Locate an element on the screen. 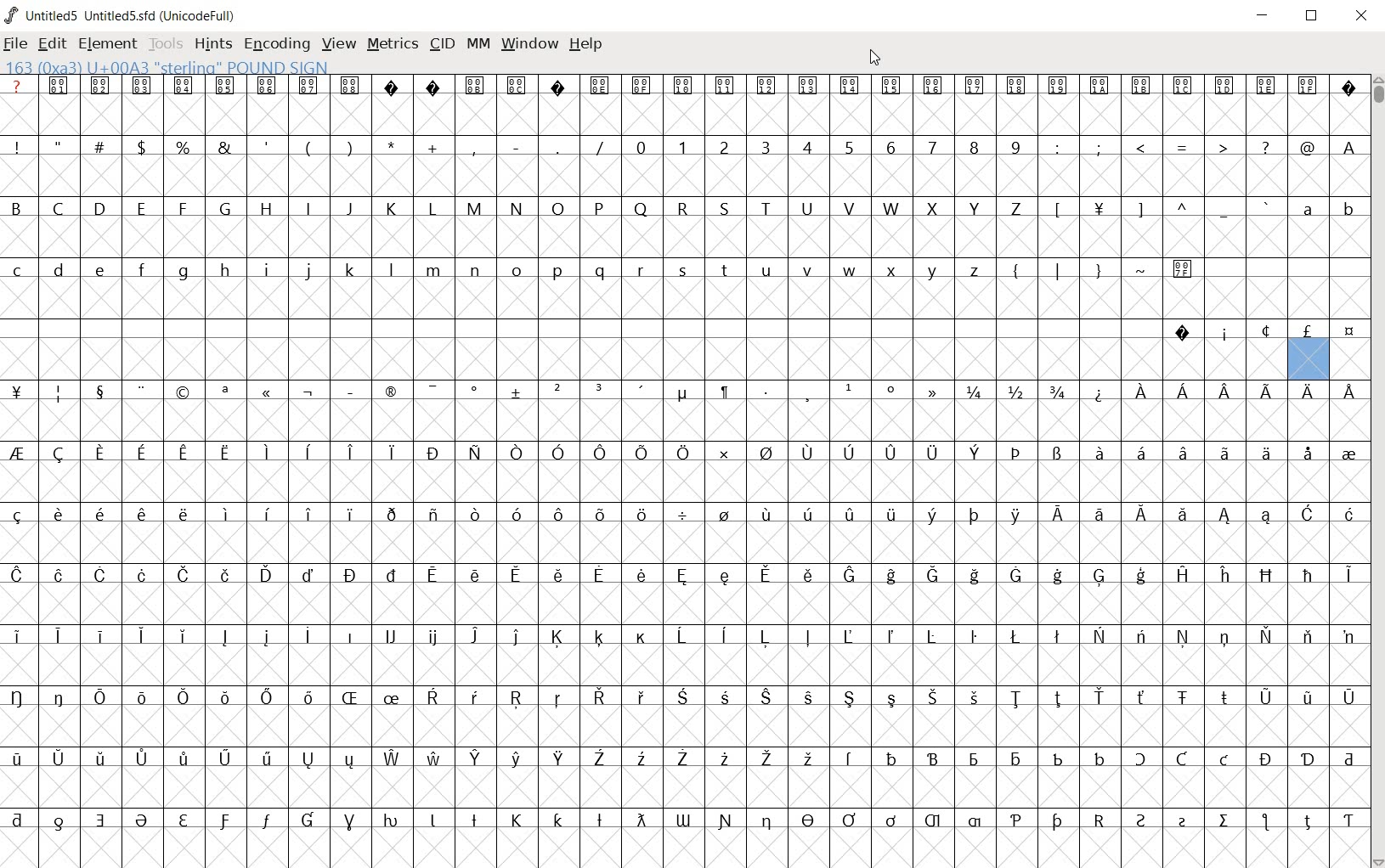 This screenshot has width=1385, height=868. Symbol is located at coordinates (58, 634).